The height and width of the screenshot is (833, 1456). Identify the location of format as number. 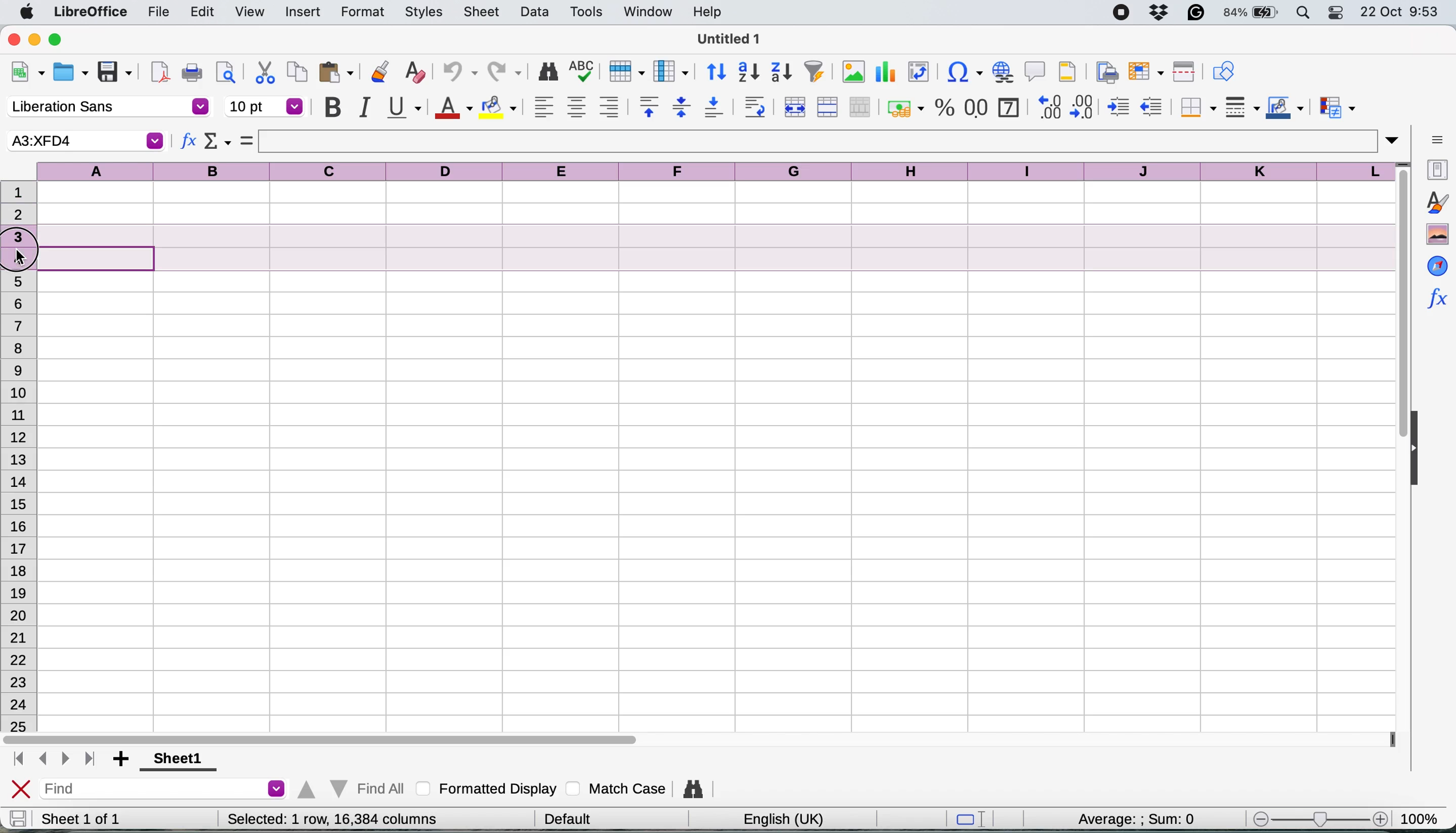
(977, 106).